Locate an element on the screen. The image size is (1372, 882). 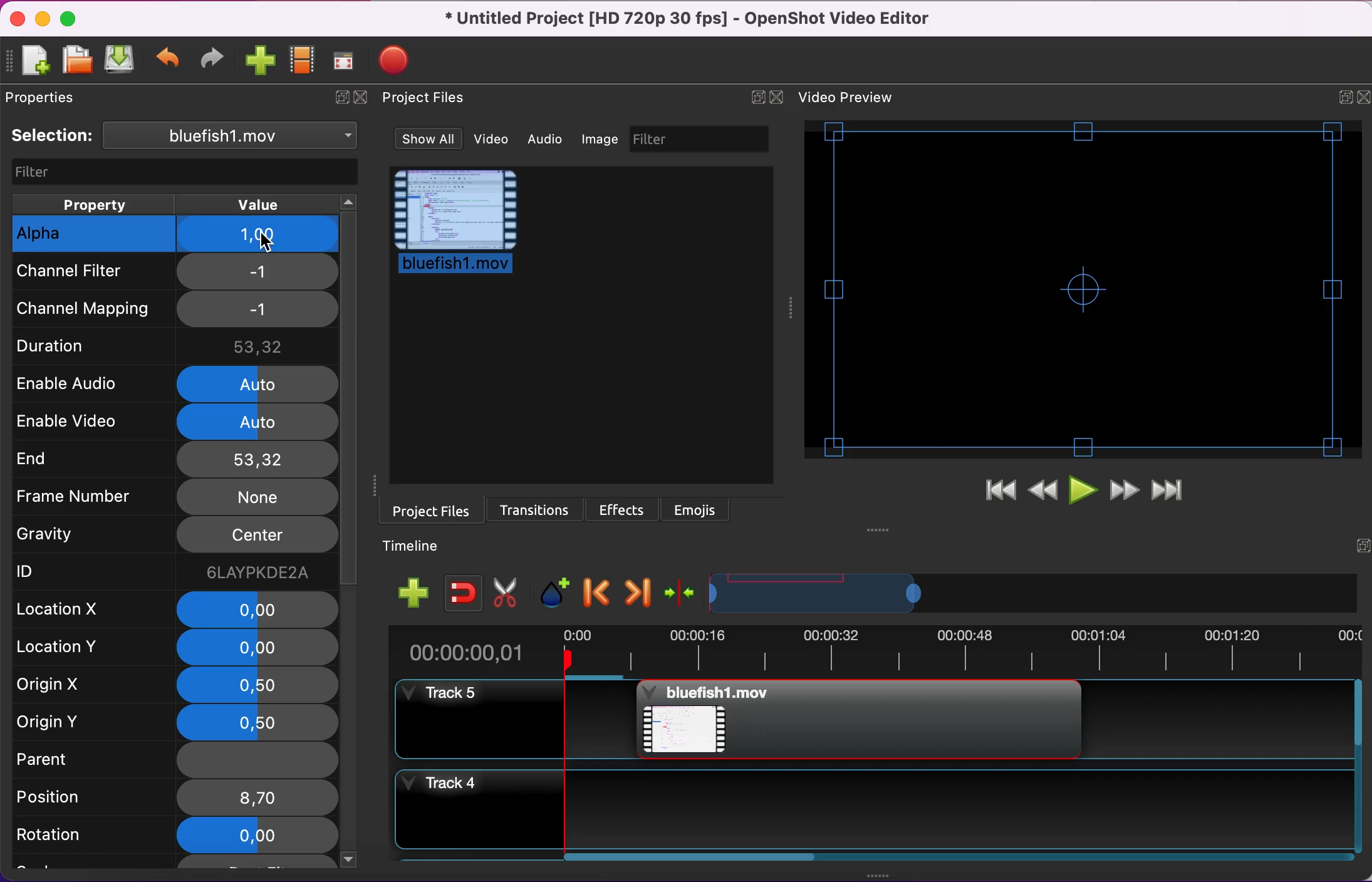
0 is located at coordinates (258, 609).